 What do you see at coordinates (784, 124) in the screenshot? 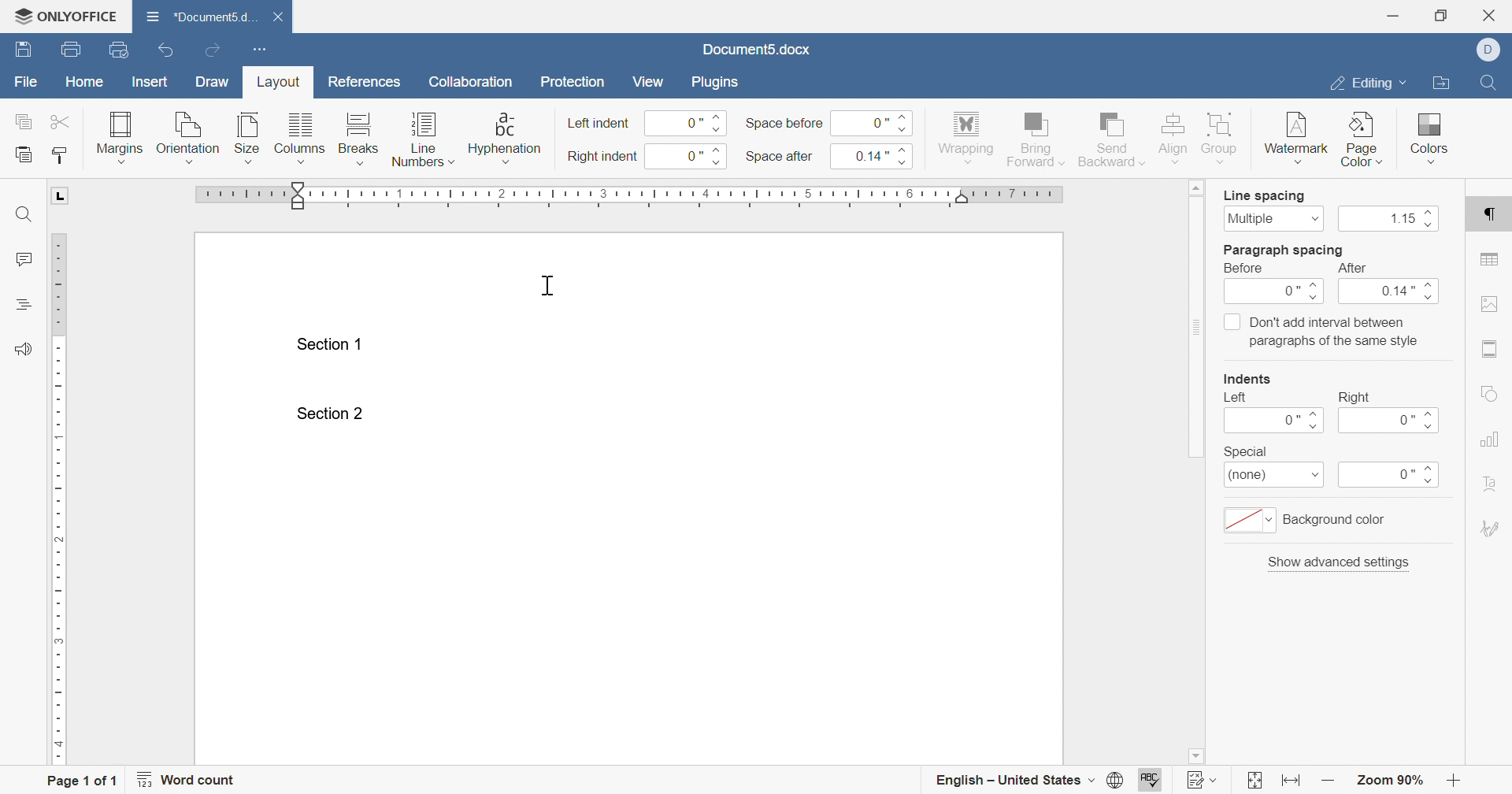
I see `space before` at bounding box center [784, 124].